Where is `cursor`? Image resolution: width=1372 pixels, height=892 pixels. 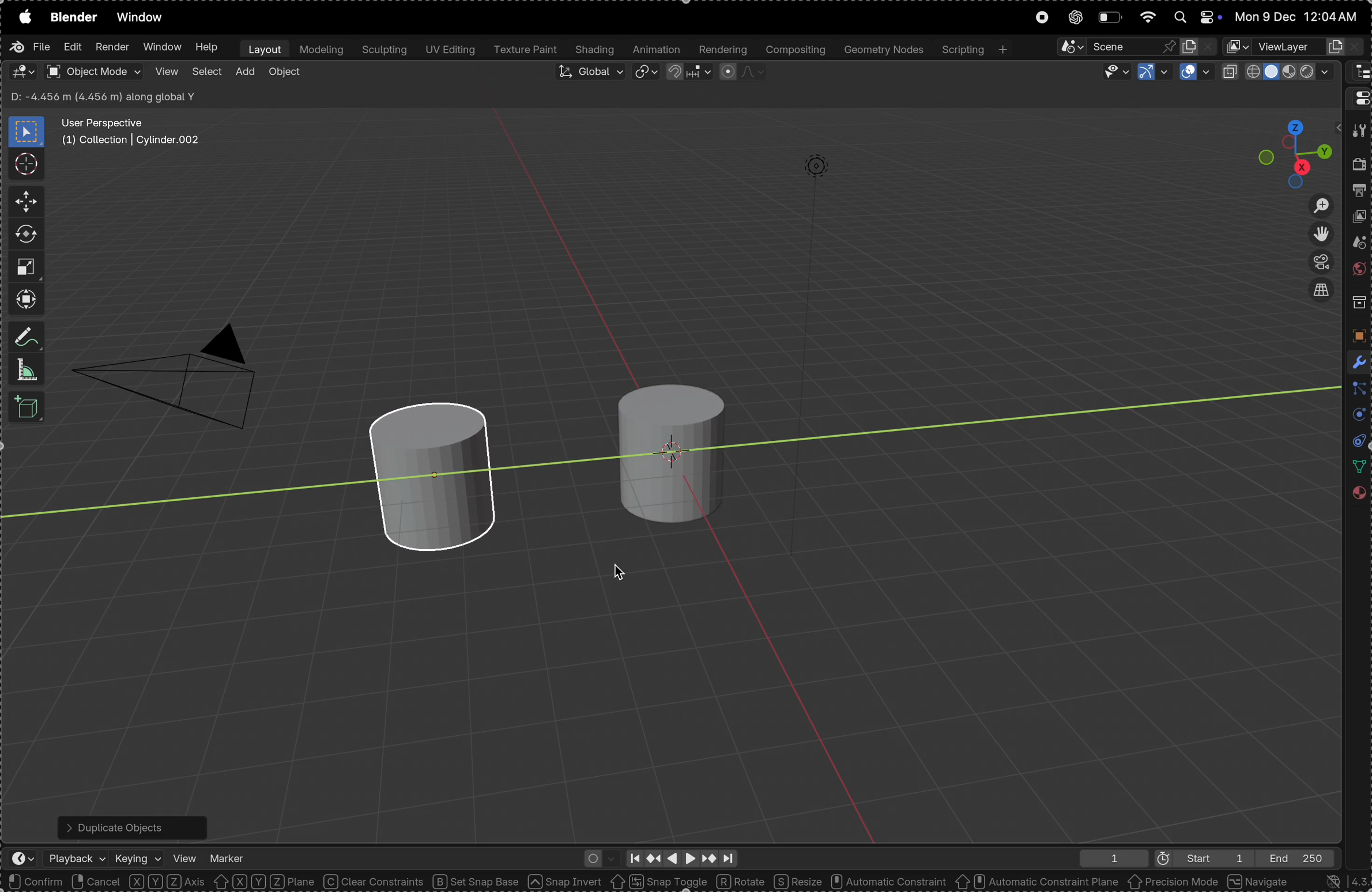
cursor is located at coordinates (624, 569).